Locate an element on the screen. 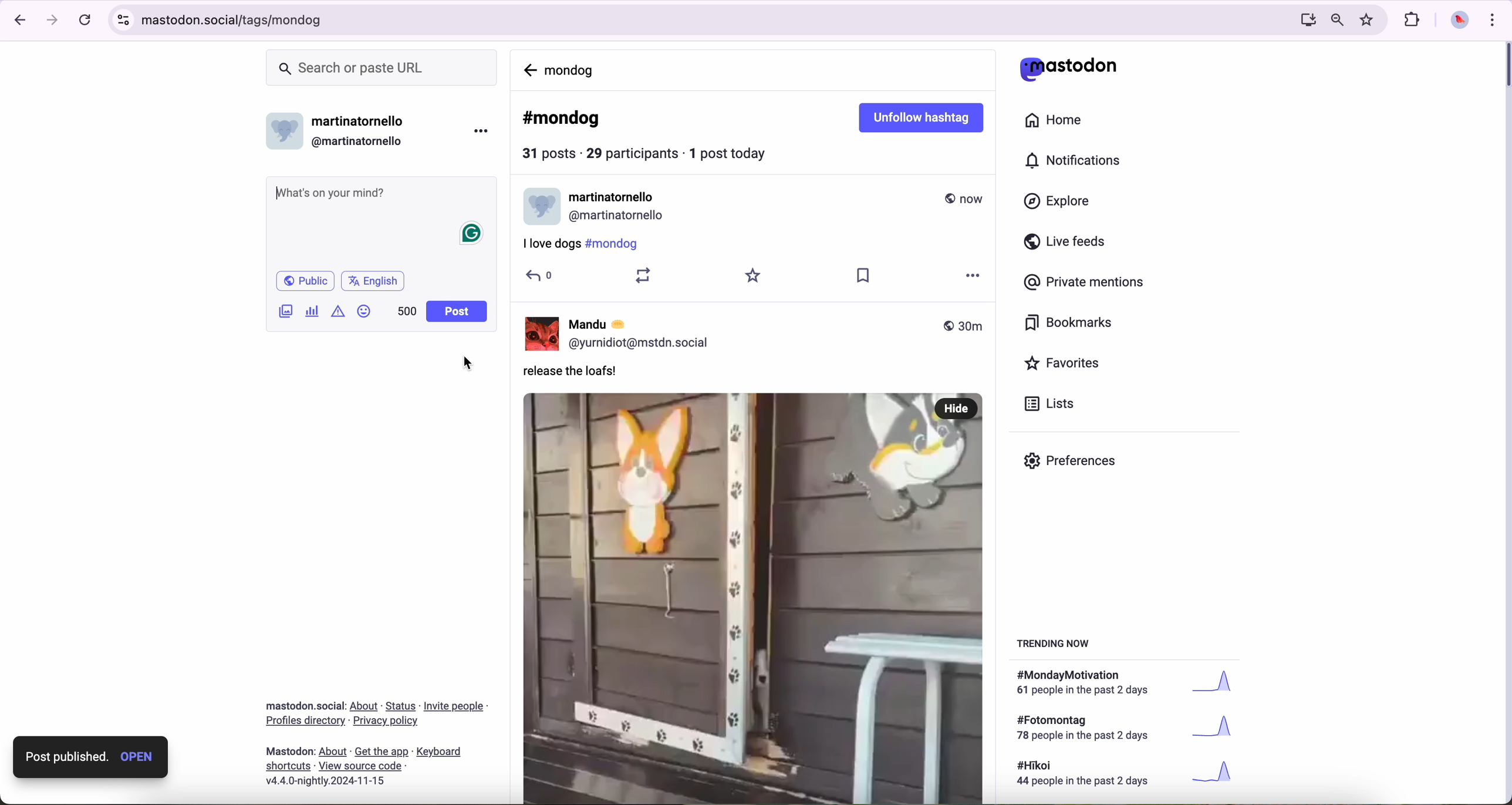  #dogs is located at coordinates (544, 745).